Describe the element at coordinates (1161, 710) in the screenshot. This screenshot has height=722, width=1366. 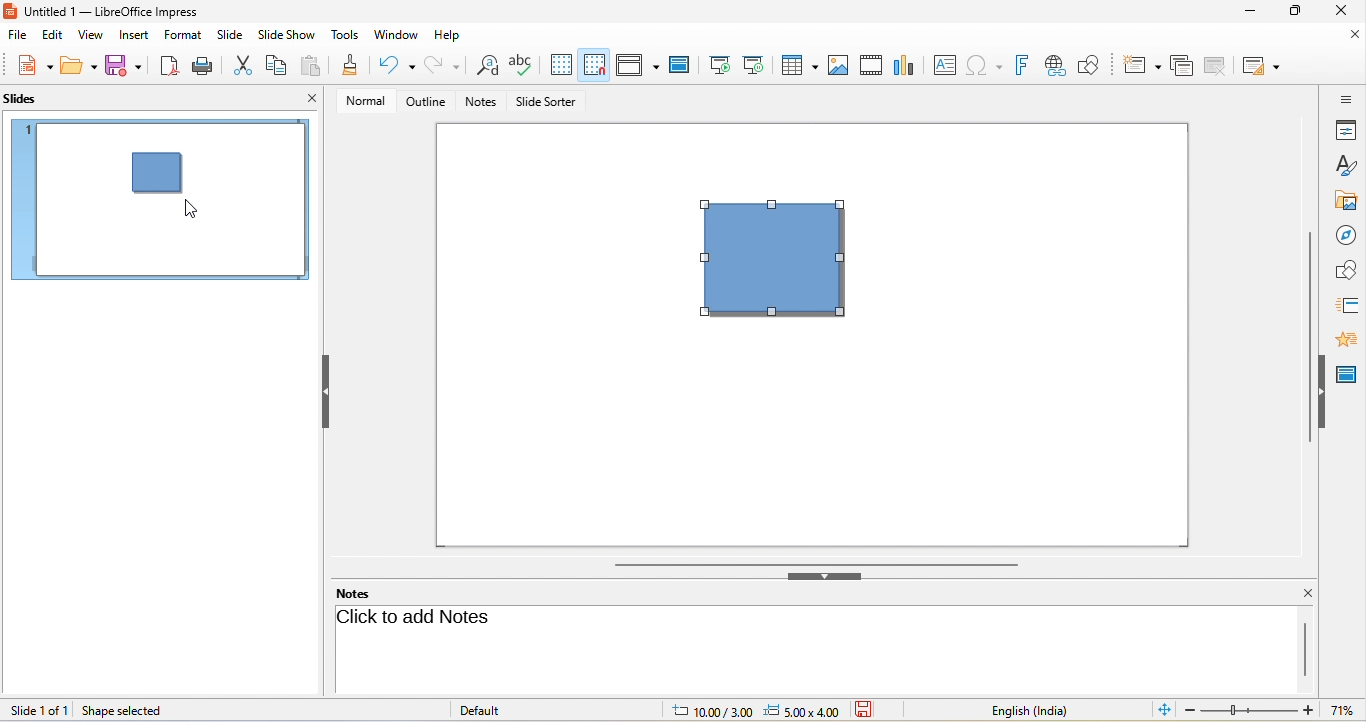
I see `fit slide to current window` at that location.